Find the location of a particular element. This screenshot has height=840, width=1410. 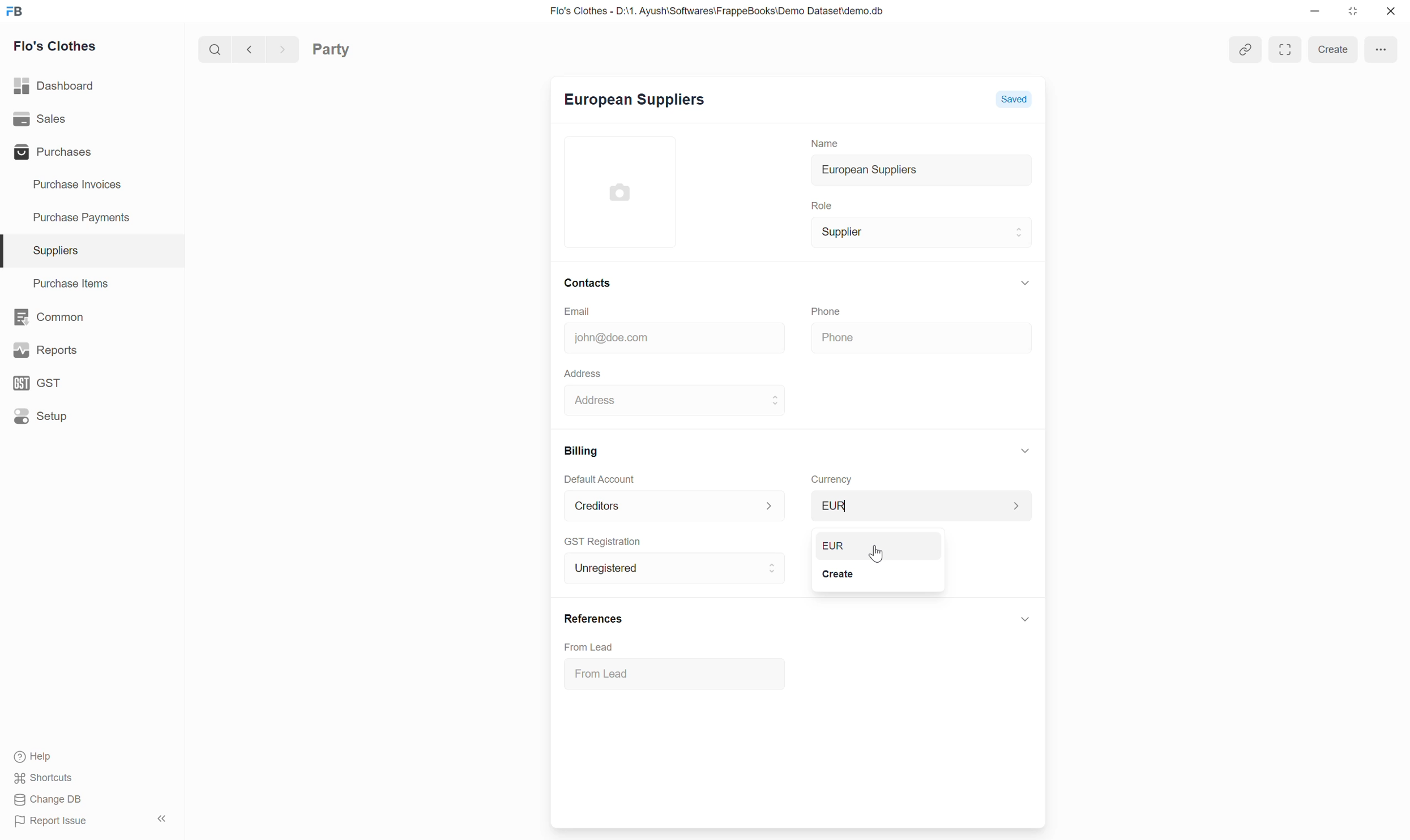

reports is located at coordinates (48, 350).